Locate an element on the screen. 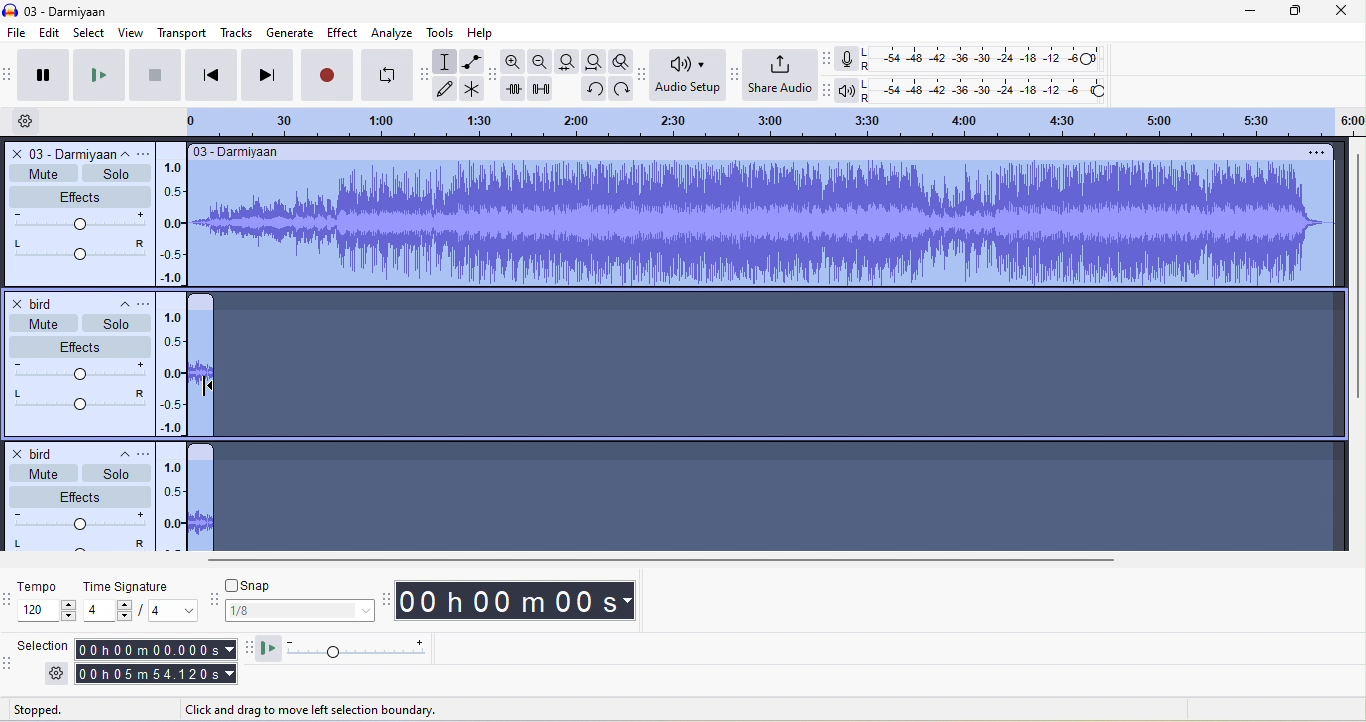 The image size is (1366, 722). audacity time toolbar is located at coordinates (384, 598).